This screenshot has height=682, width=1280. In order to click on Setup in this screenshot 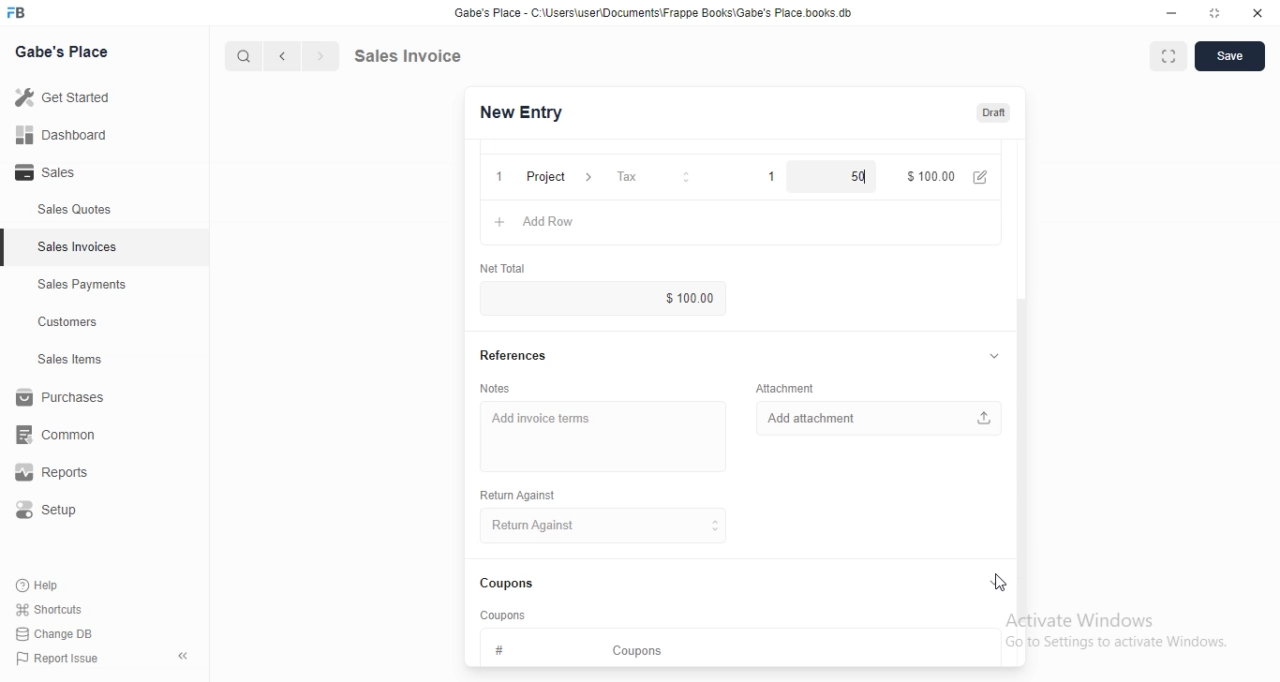, I will do `click(57, 513)`.